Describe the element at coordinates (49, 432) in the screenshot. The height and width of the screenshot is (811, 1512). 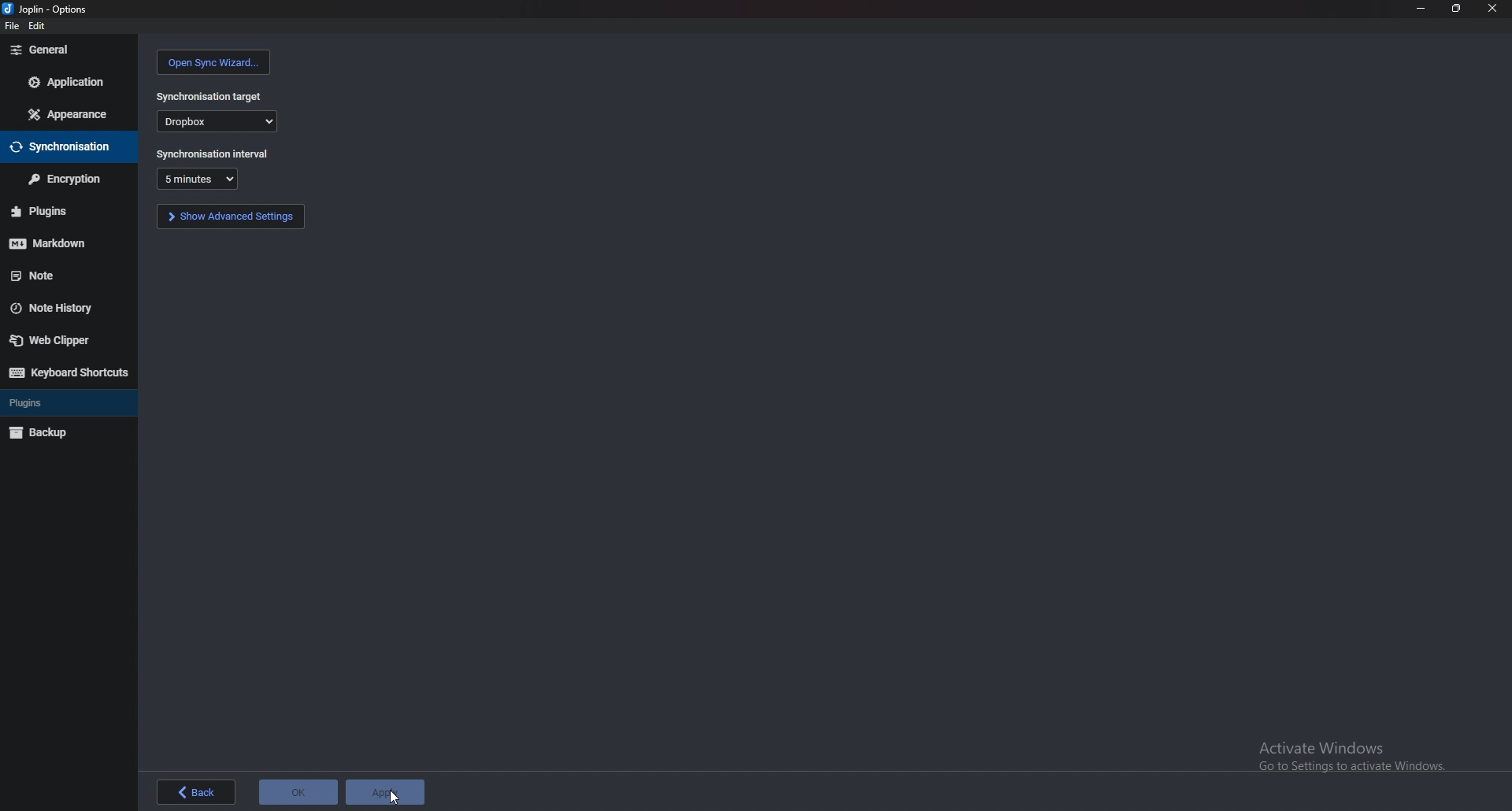
I see `backup` at that location.